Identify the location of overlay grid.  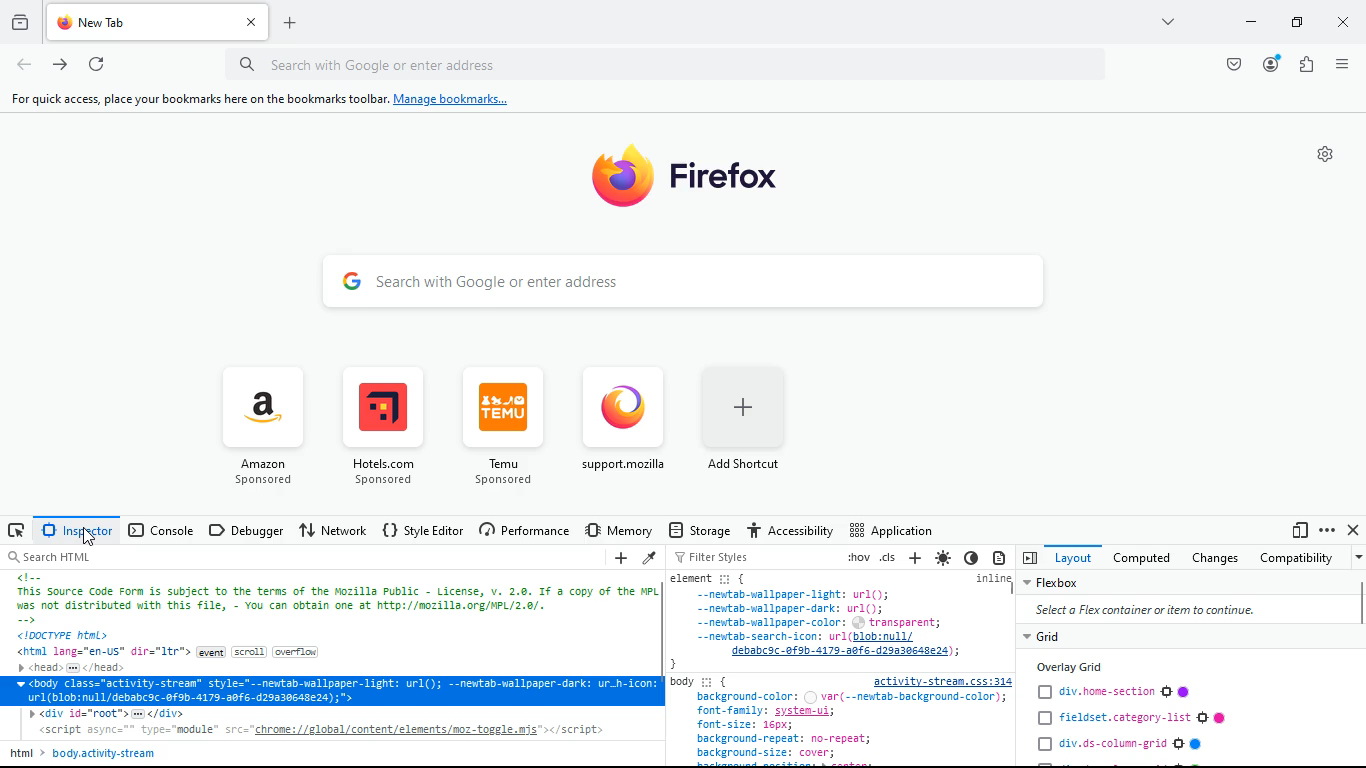
(1075, 665).